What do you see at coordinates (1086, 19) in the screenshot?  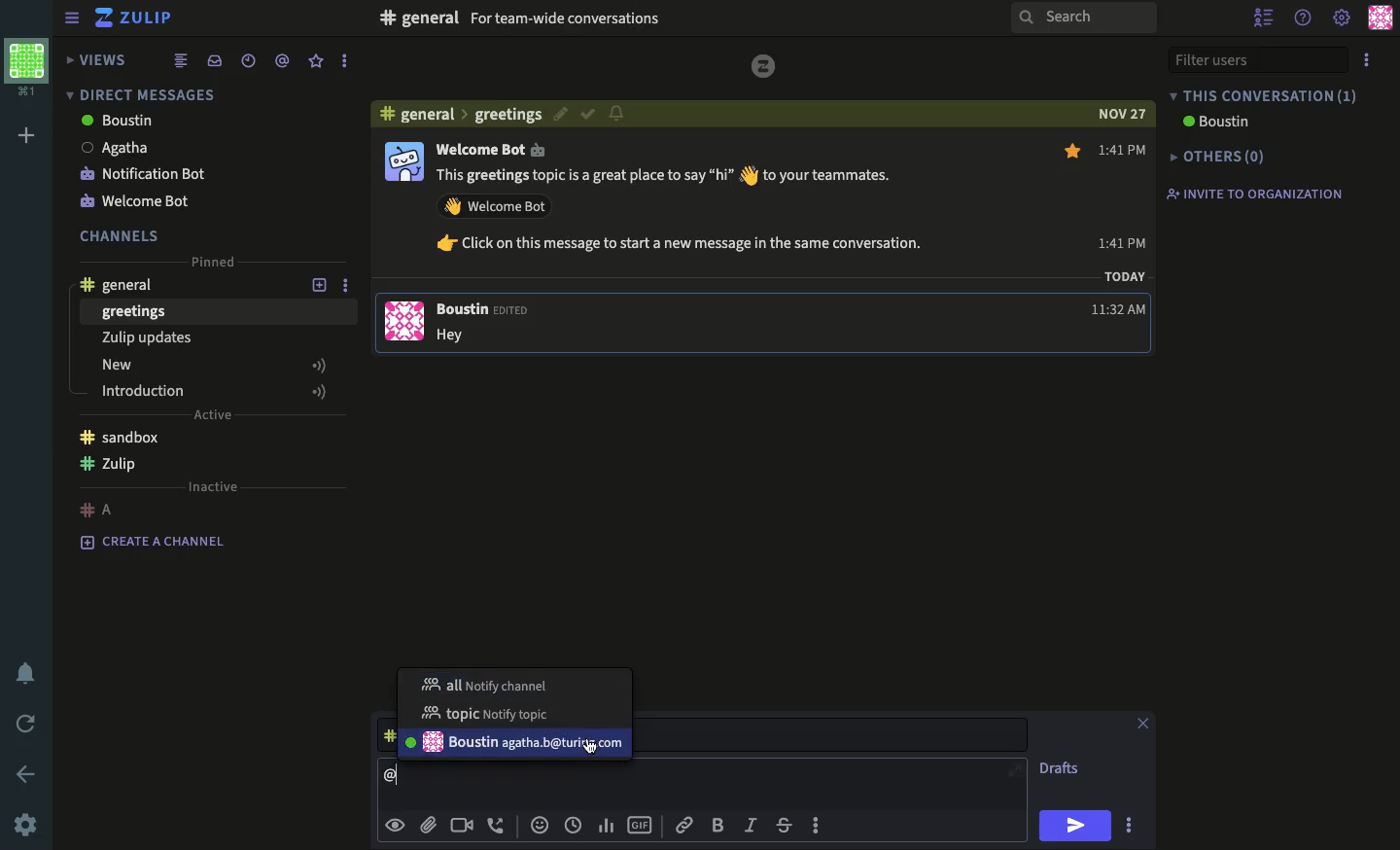 I see `search` at bounding box center [1086, 19].